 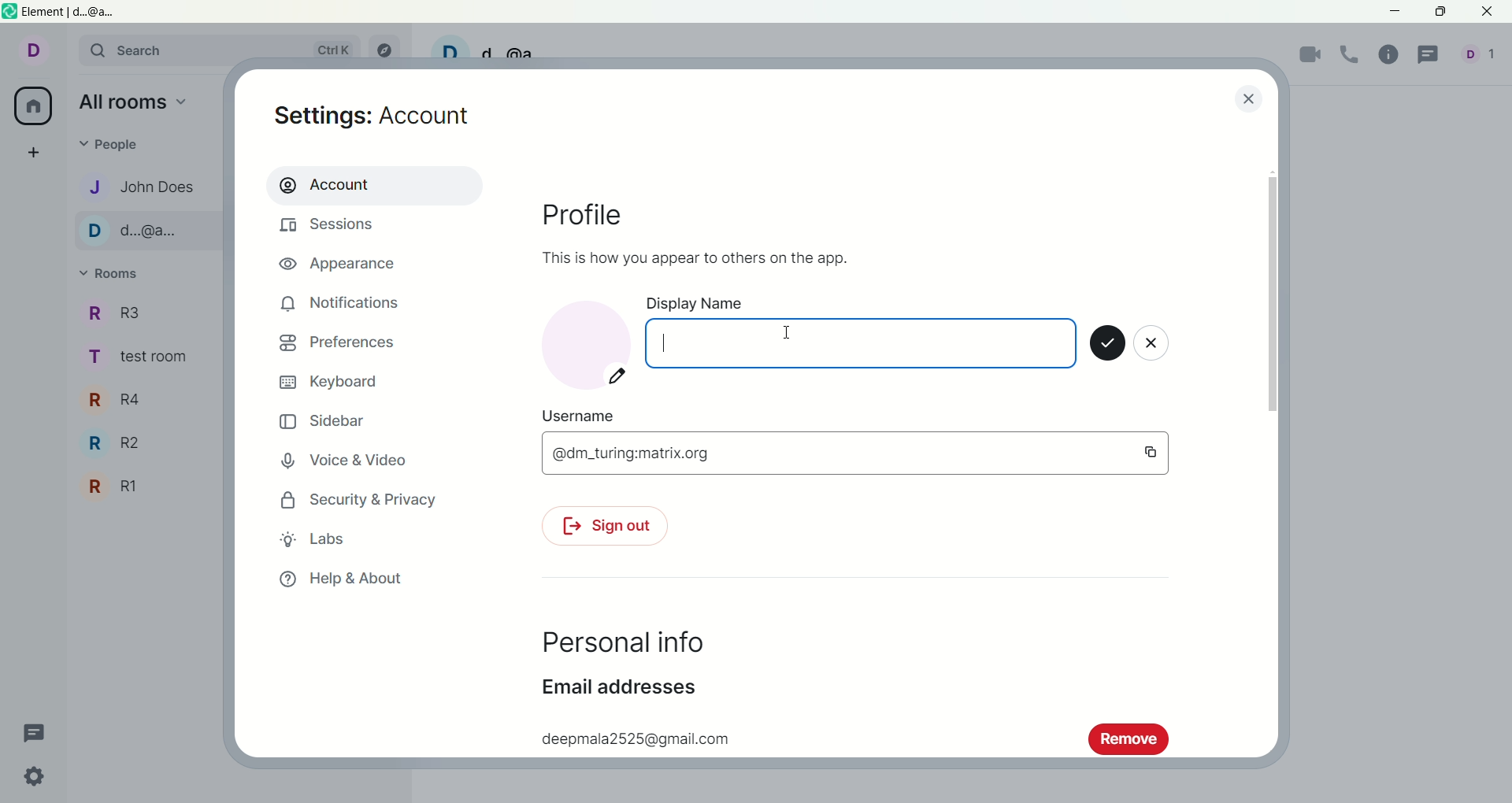 I want to click on usser name, so click(x=580, y=415).